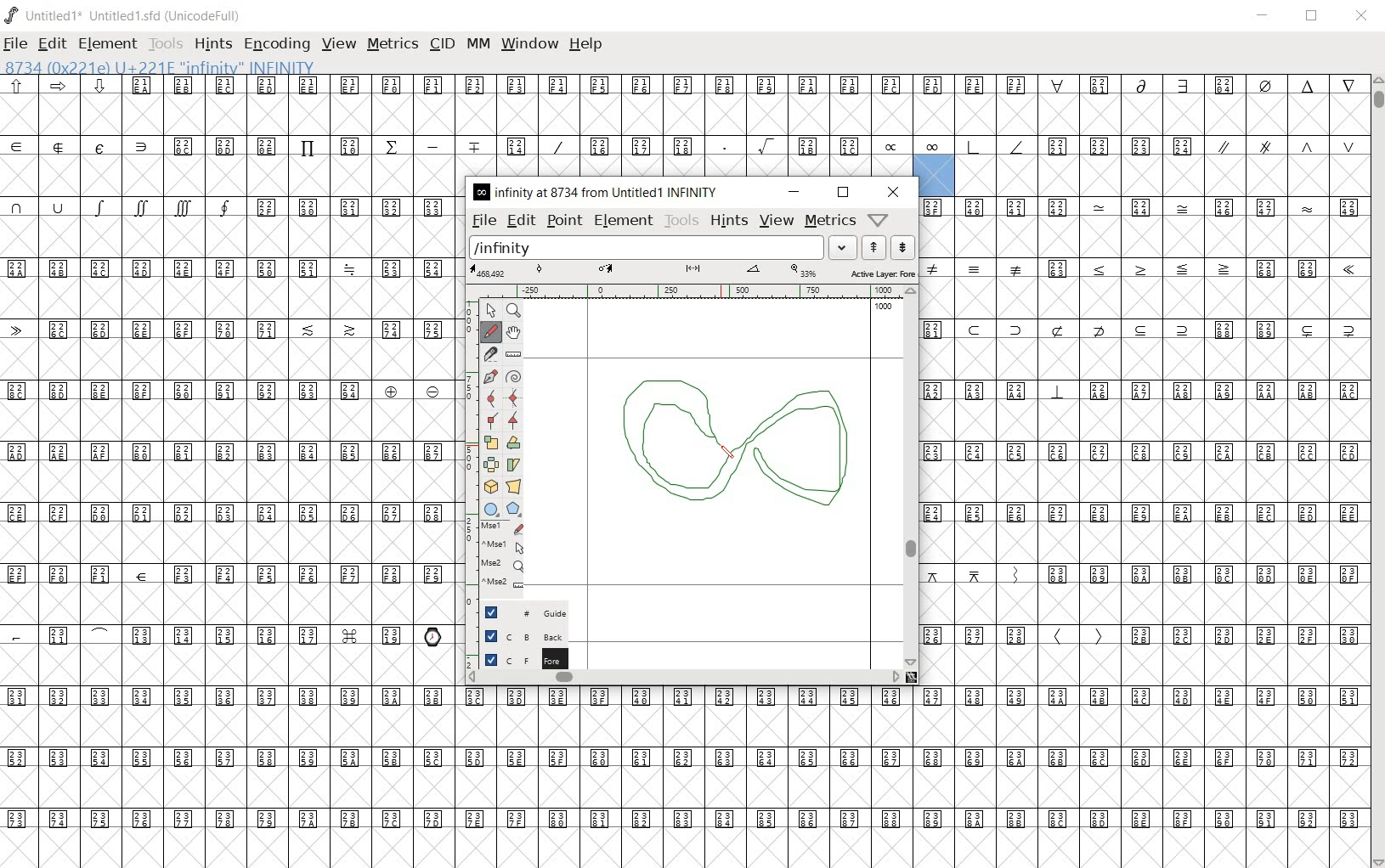 The width and height of the screenshot is (1385, 868). What do you see at coordinates (513, 375) in the screenshot?
I see `change whether spiro is active or not` at bounding box center [513, 375].